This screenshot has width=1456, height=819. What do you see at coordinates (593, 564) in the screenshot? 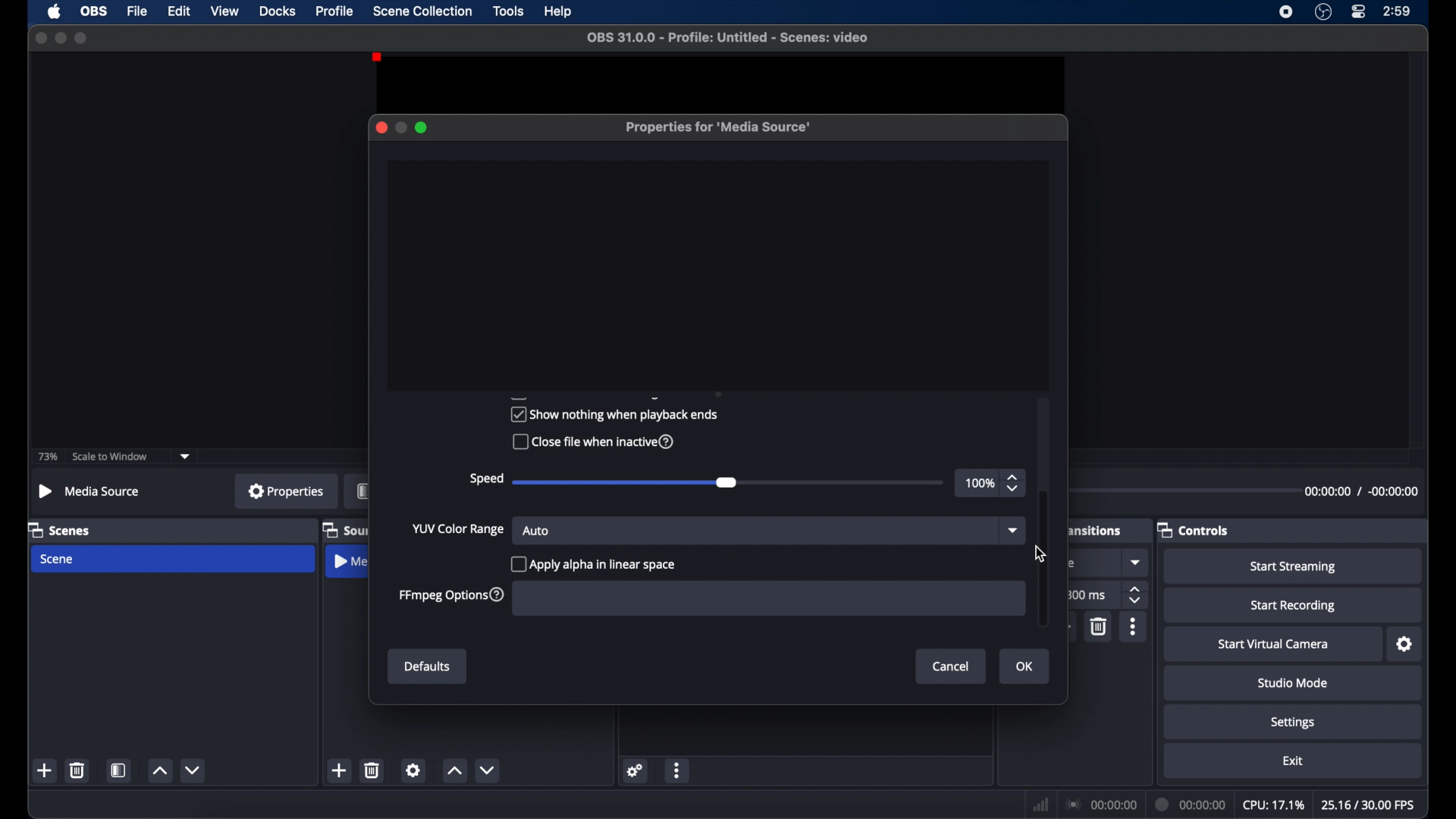
I see `apply alpha in linear space` at bounding box center [593, 564].